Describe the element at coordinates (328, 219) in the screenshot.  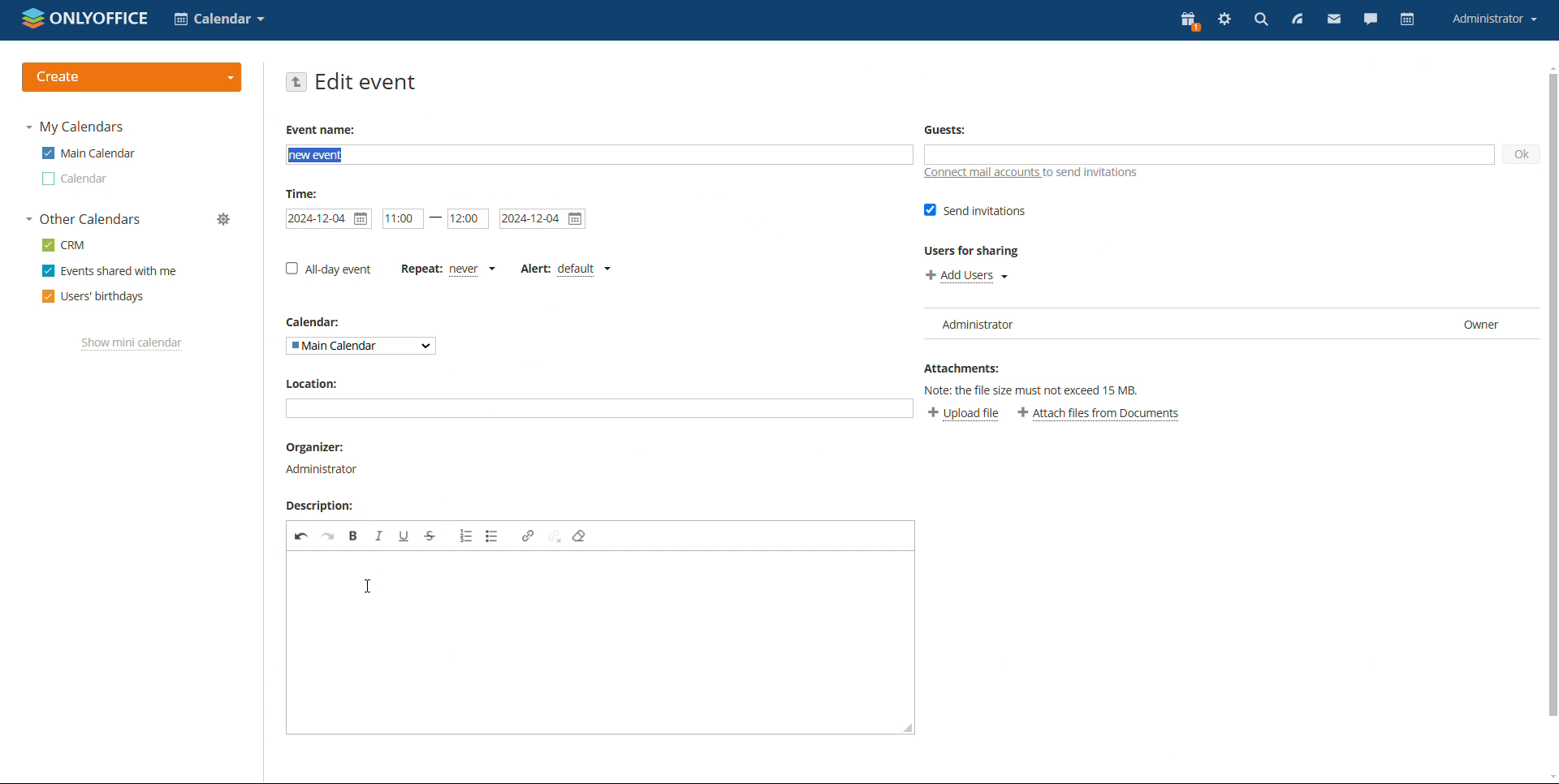
I see `start date` at that location.